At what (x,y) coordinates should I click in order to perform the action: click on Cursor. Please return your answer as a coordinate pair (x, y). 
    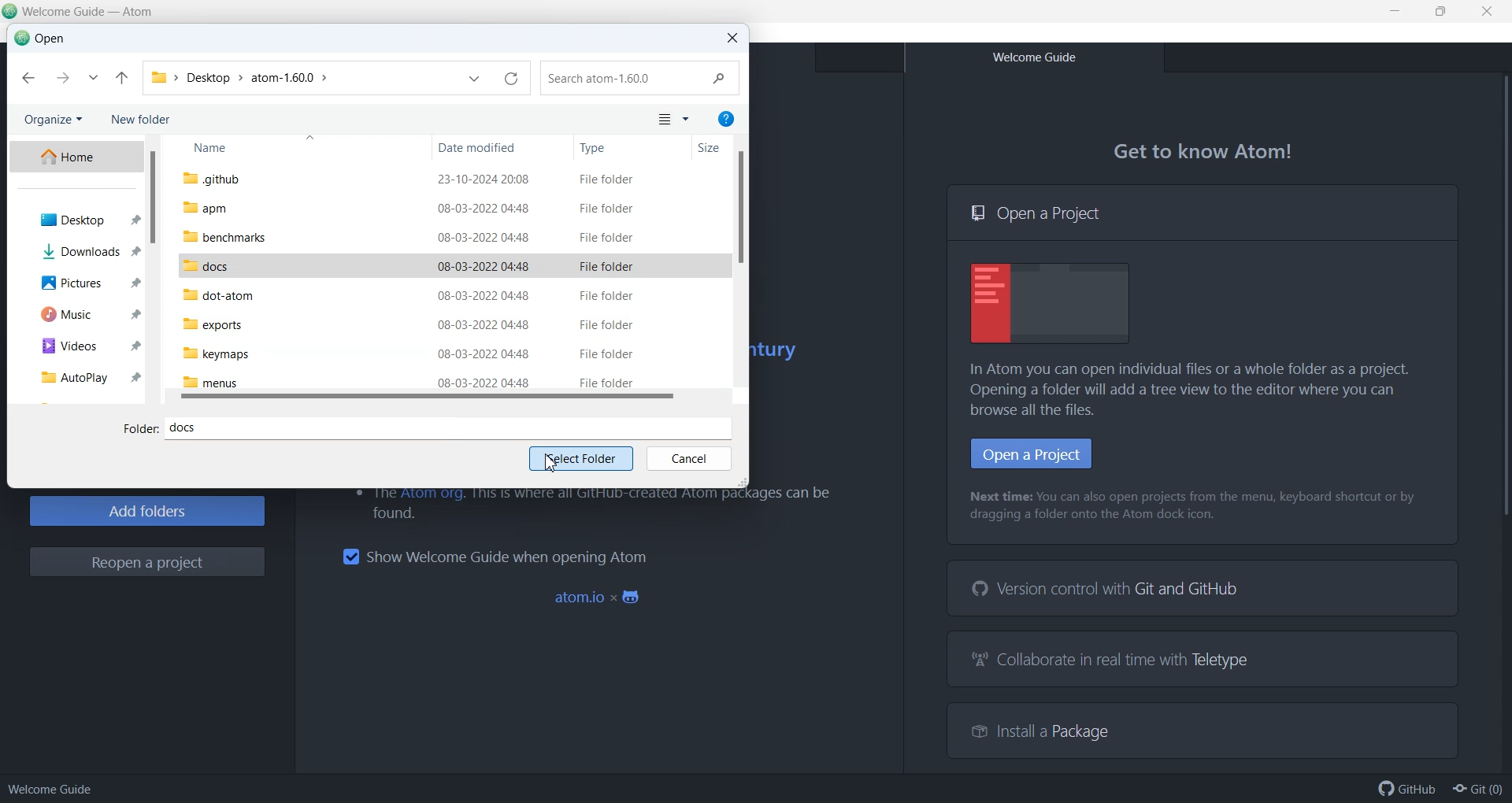
    Looking at the image, I should click on (550, 464).